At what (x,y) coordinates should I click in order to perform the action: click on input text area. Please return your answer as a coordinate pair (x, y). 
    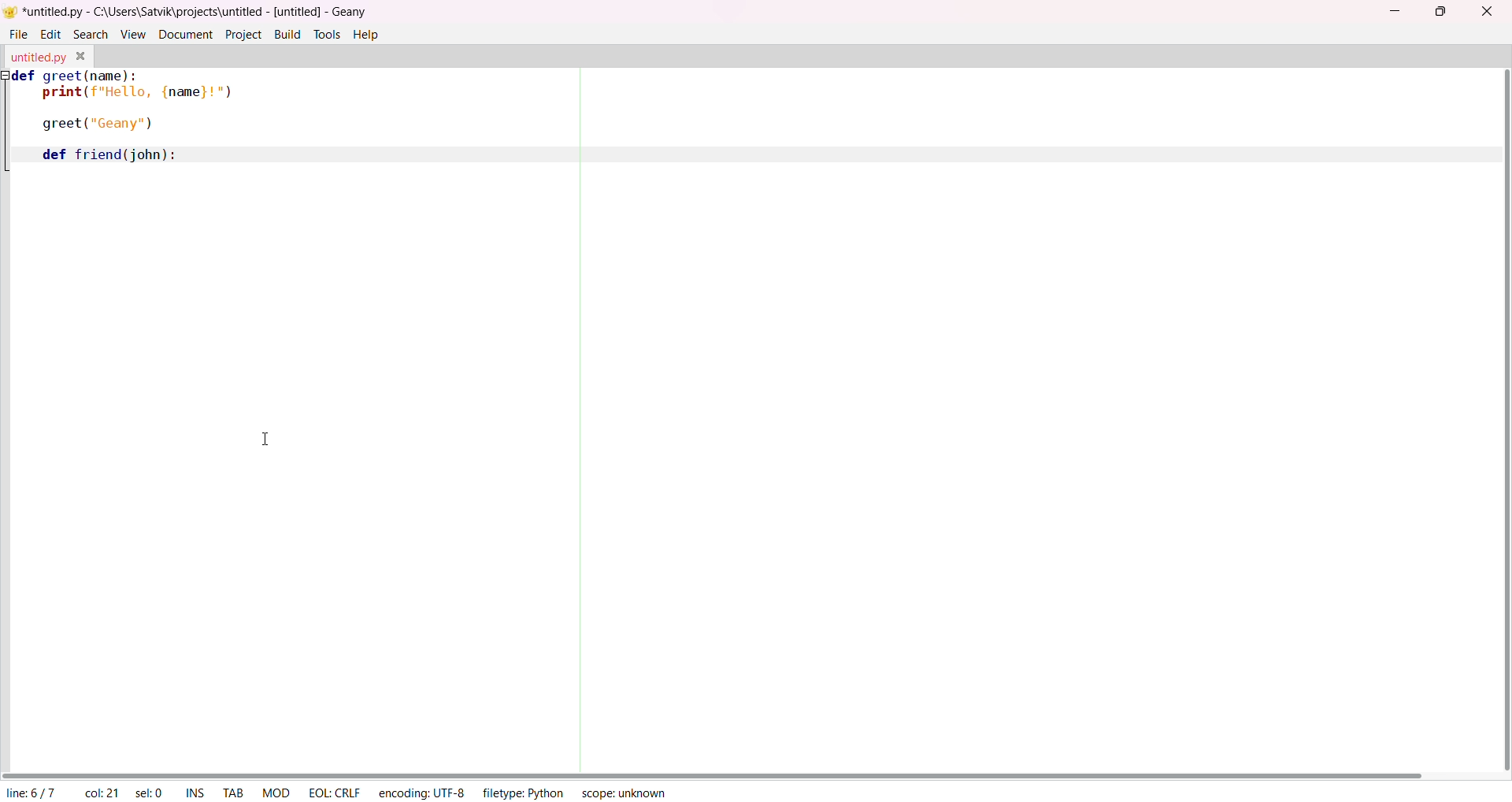
    Looking at the image, I should click on (401, 123).